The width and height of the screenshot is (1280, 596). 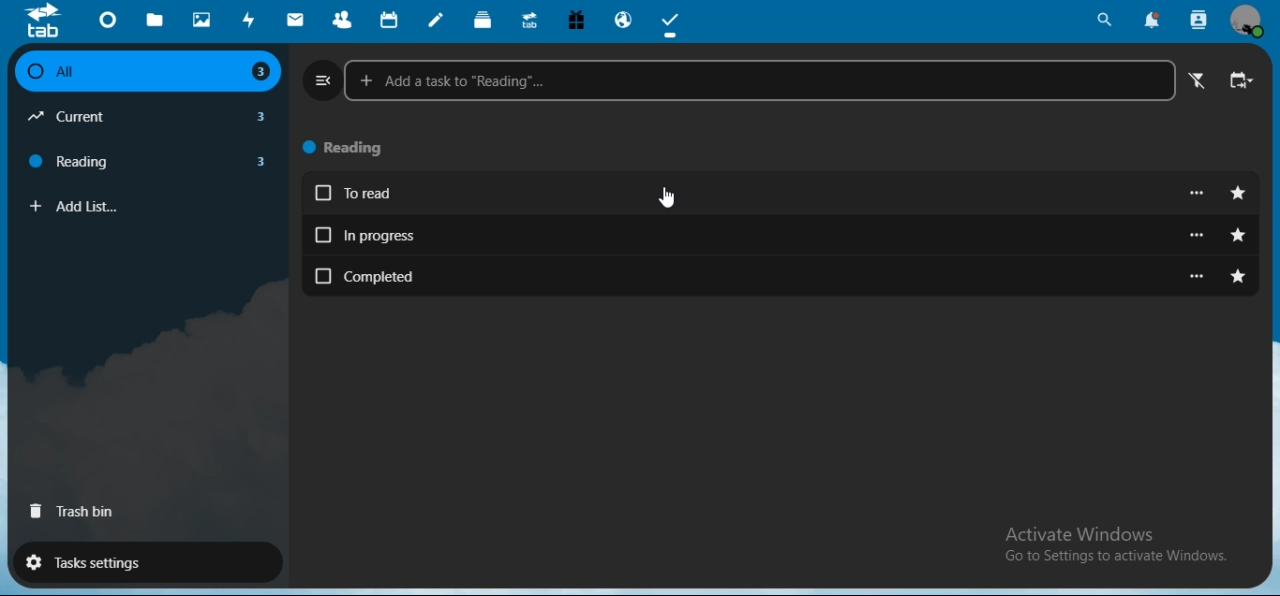 What do you see at coordinates (1238, 236) in the screenshot?
I see `toggle starred` at bounding box center [1238, 236].